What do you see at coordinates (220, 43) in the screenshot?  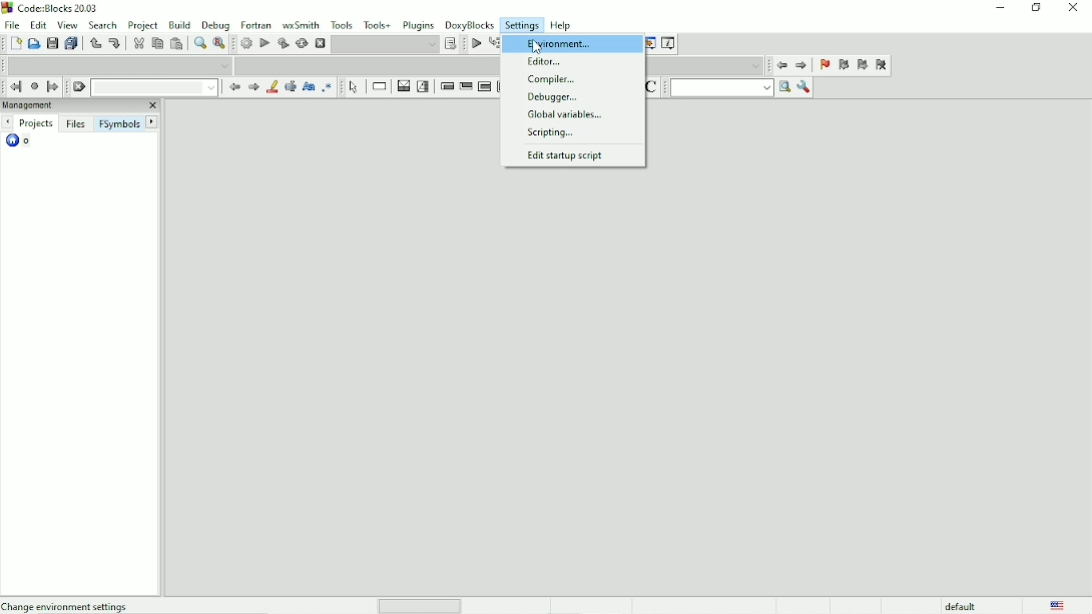 I see `Replace` at bounding box center [220, 43].